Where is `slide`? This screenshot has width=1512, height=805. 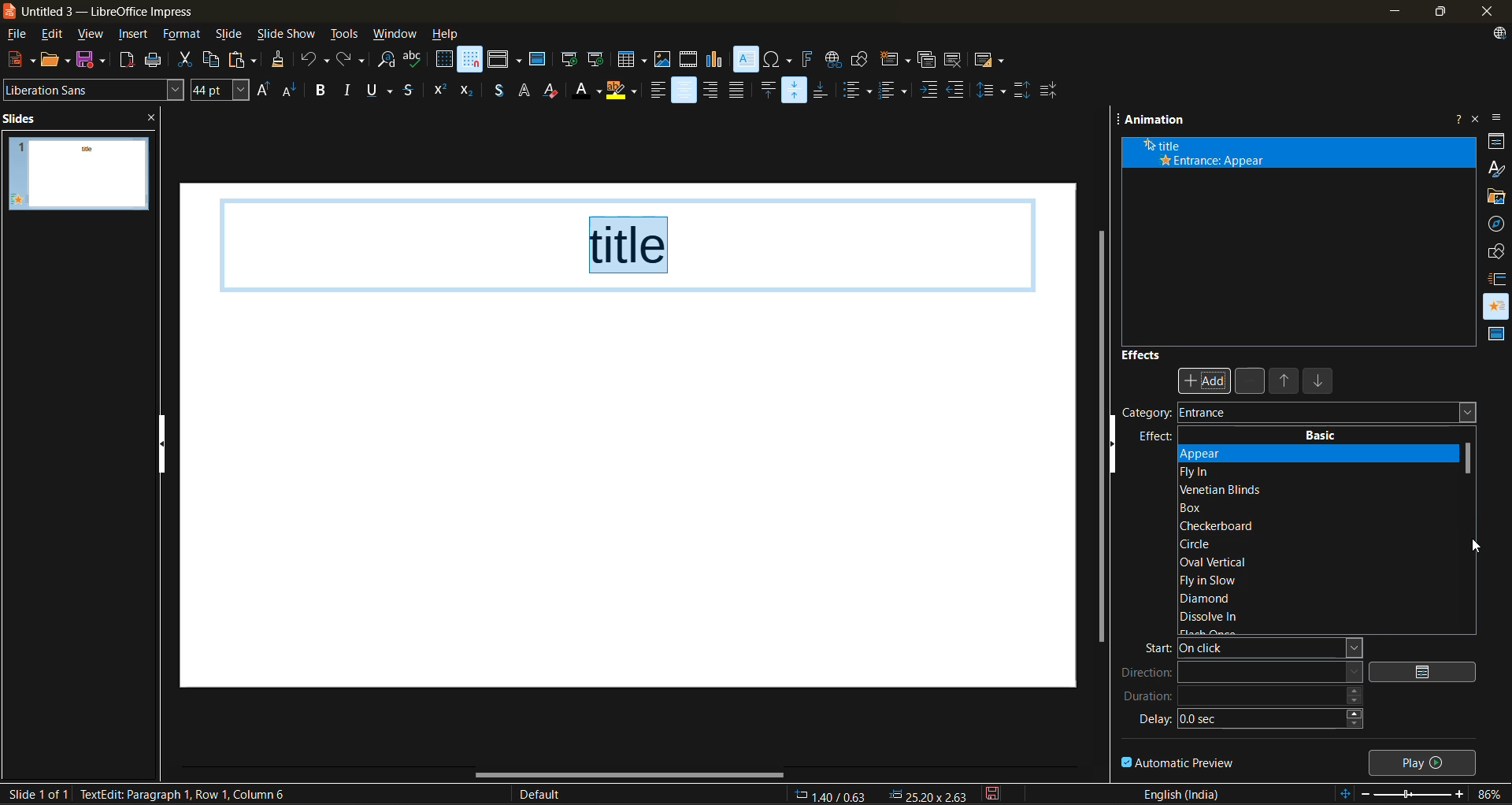 slide is located at coordinates (231, 36).